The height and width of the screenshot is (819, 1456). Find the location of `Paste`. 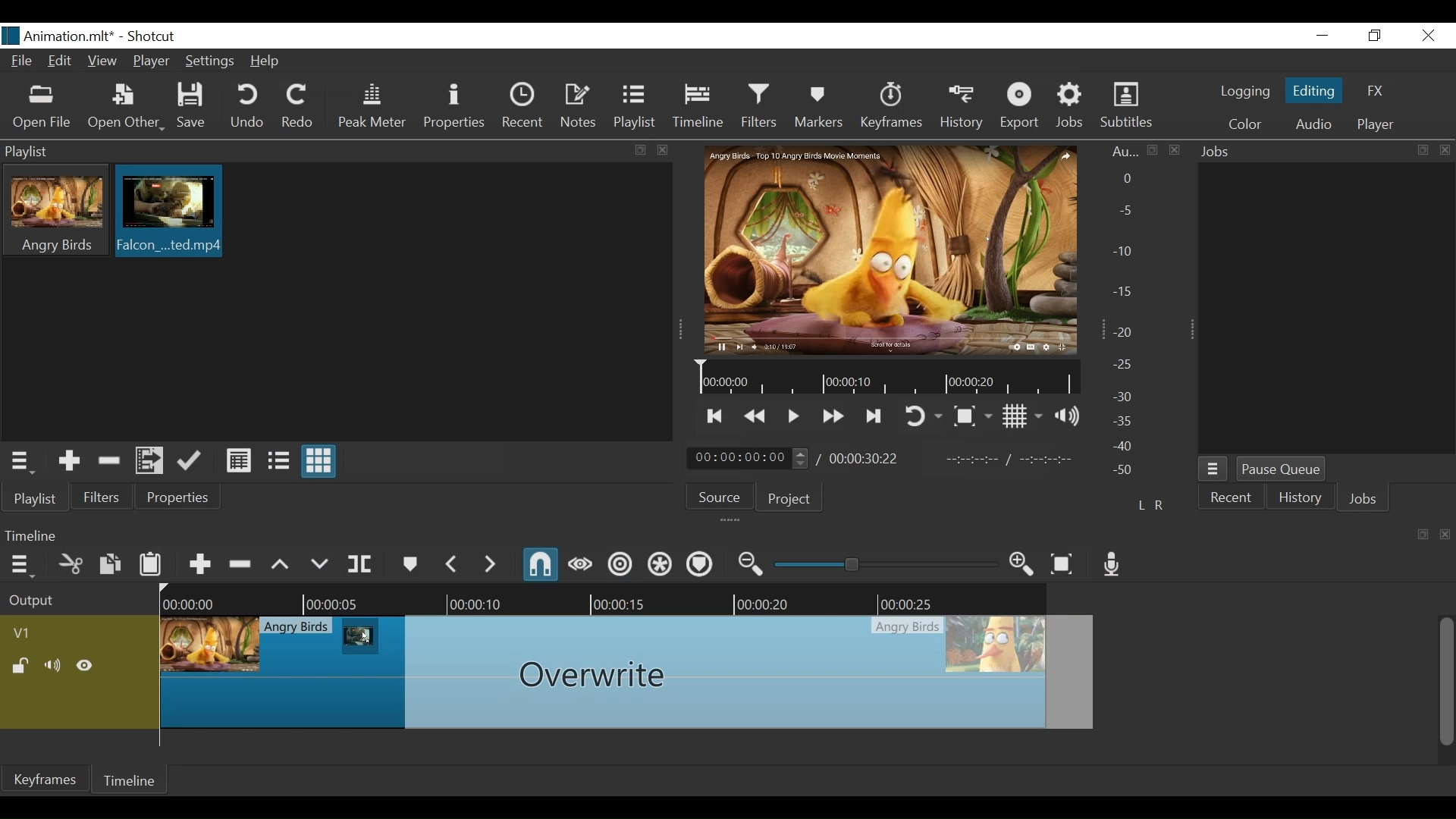

Paste is located at coordinates (151, 562).